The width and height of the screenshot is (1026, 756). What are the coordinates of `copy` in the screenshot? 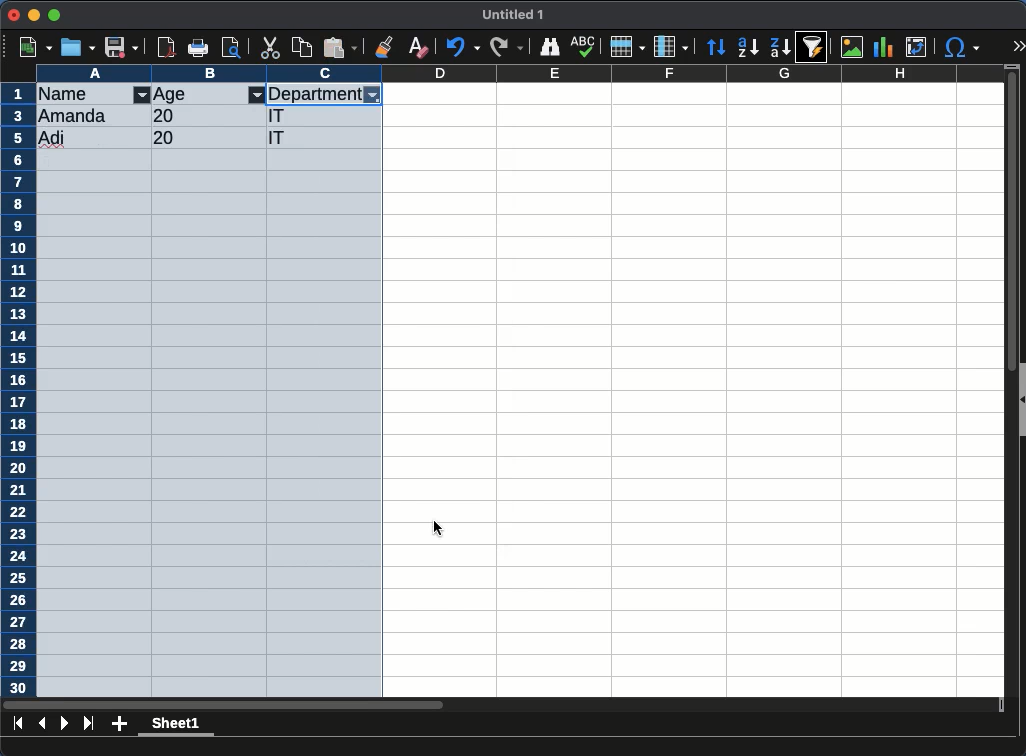 It's located at (303, 47).